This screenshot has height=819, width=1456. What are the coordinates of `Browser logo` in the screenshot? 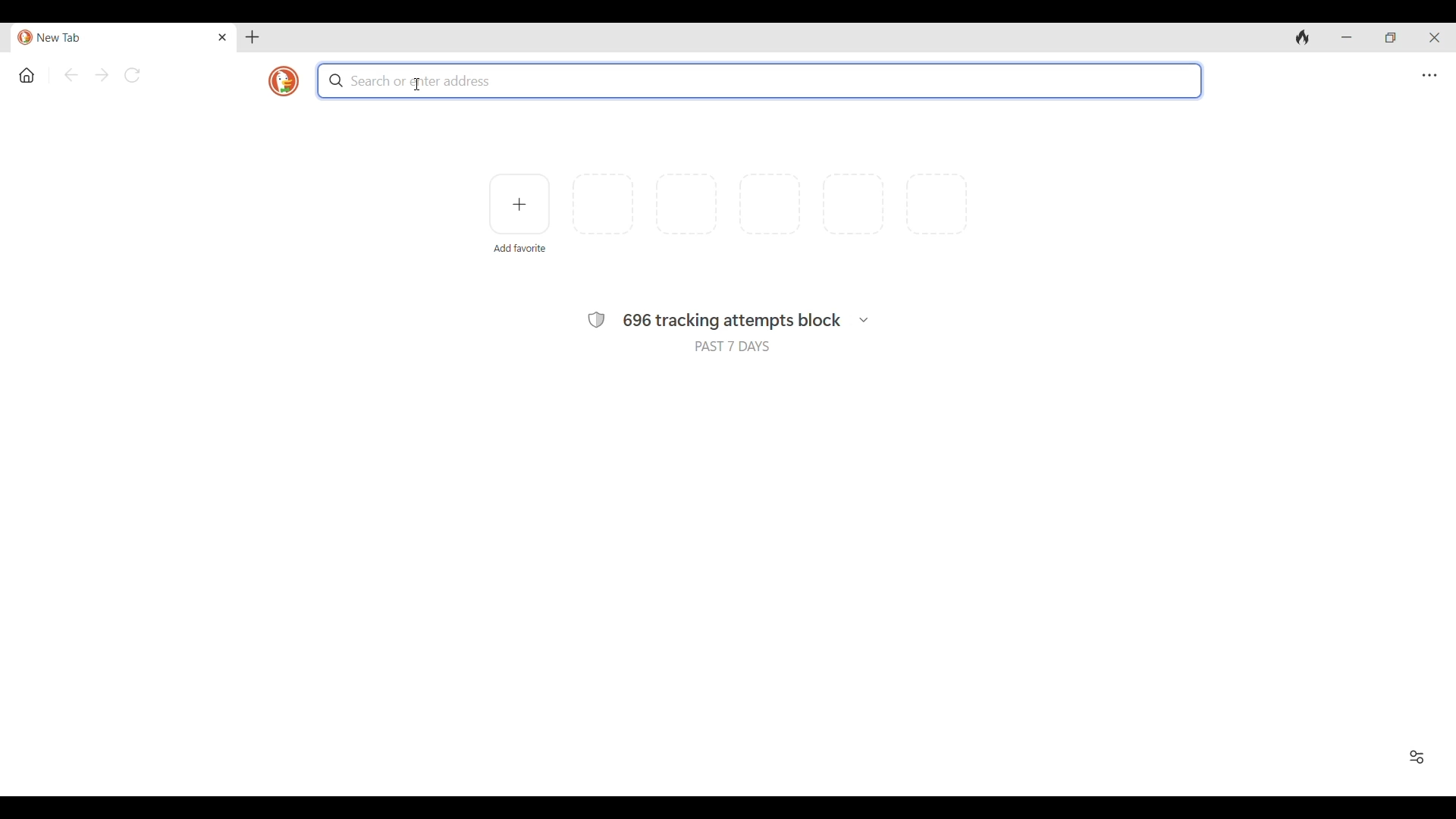 It's located at (284, 81).